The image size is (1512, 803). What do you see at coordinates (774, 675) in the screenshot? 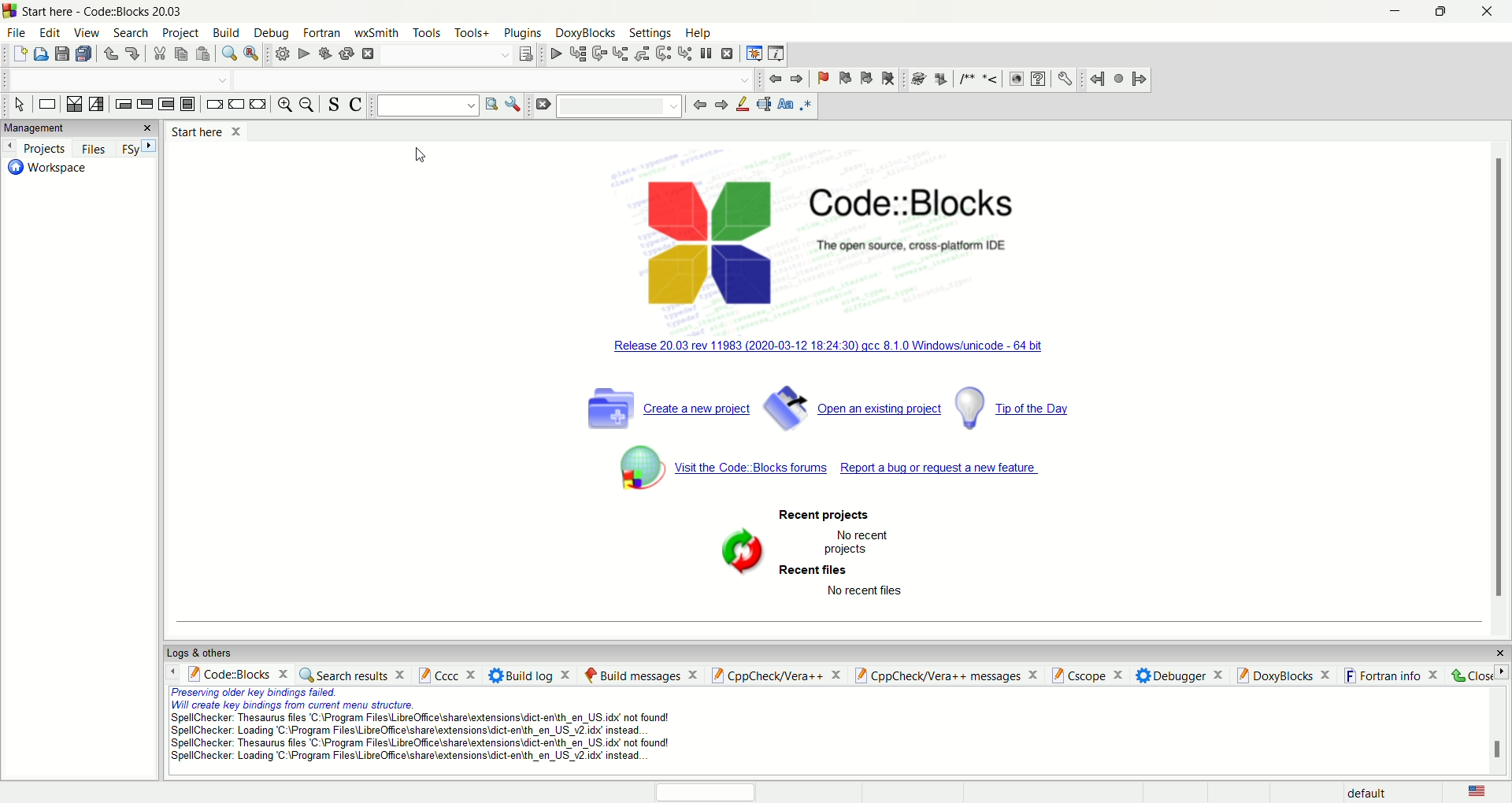
I see `Cppcheck/vera++` at bounding box center [774, 675].